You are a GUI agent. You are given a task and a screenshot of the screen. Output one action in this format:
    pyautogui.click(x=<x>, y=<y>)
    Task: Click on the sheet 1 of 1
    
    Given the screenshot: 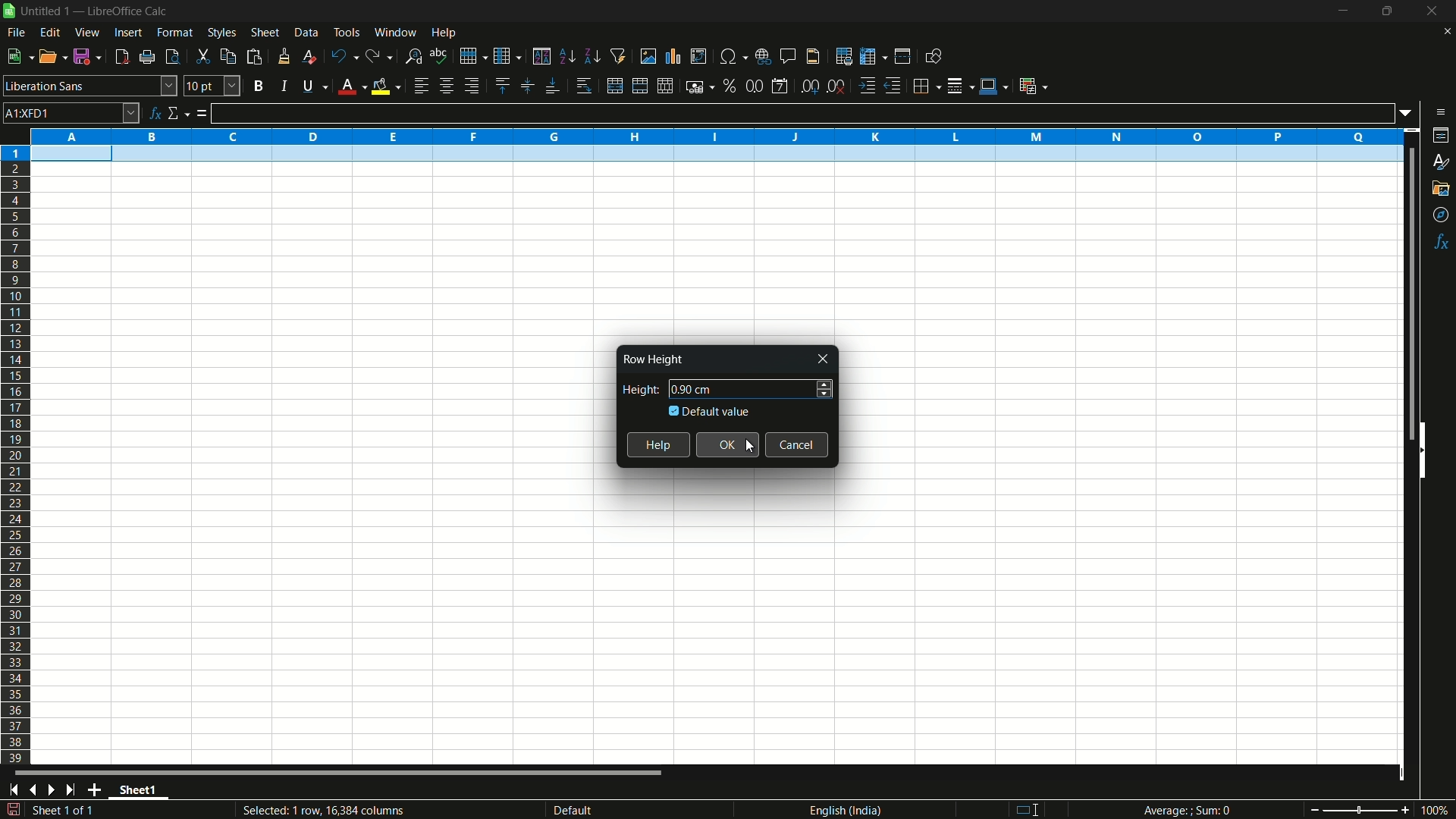 What is the action you would take?
    pyautogui.click(x=68, y=812)
    